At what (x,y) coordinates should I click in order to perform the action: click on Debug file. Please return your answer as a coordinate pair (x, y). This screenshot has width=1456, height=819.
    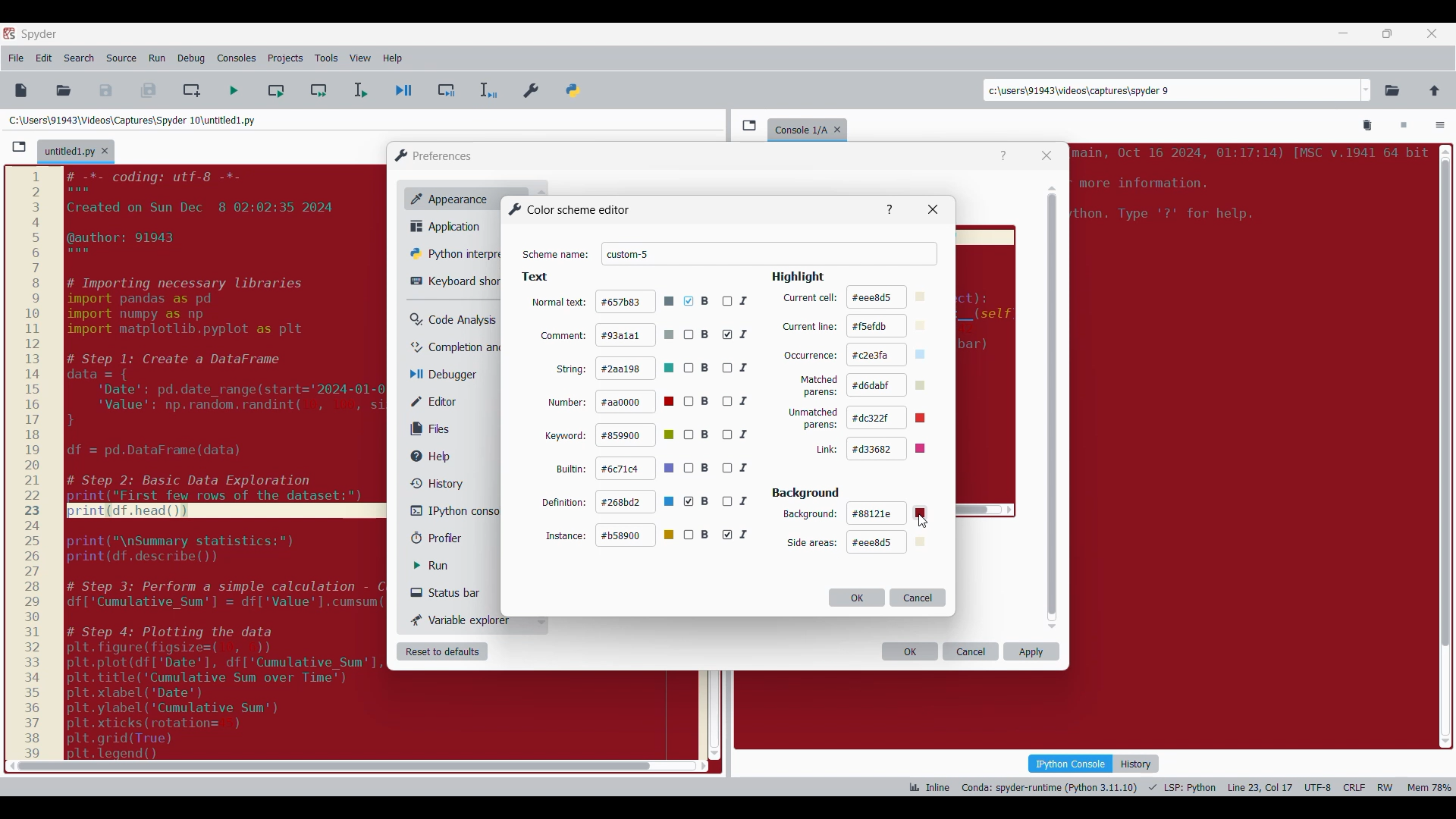
    Looking at the image, I should click on (404, 91).